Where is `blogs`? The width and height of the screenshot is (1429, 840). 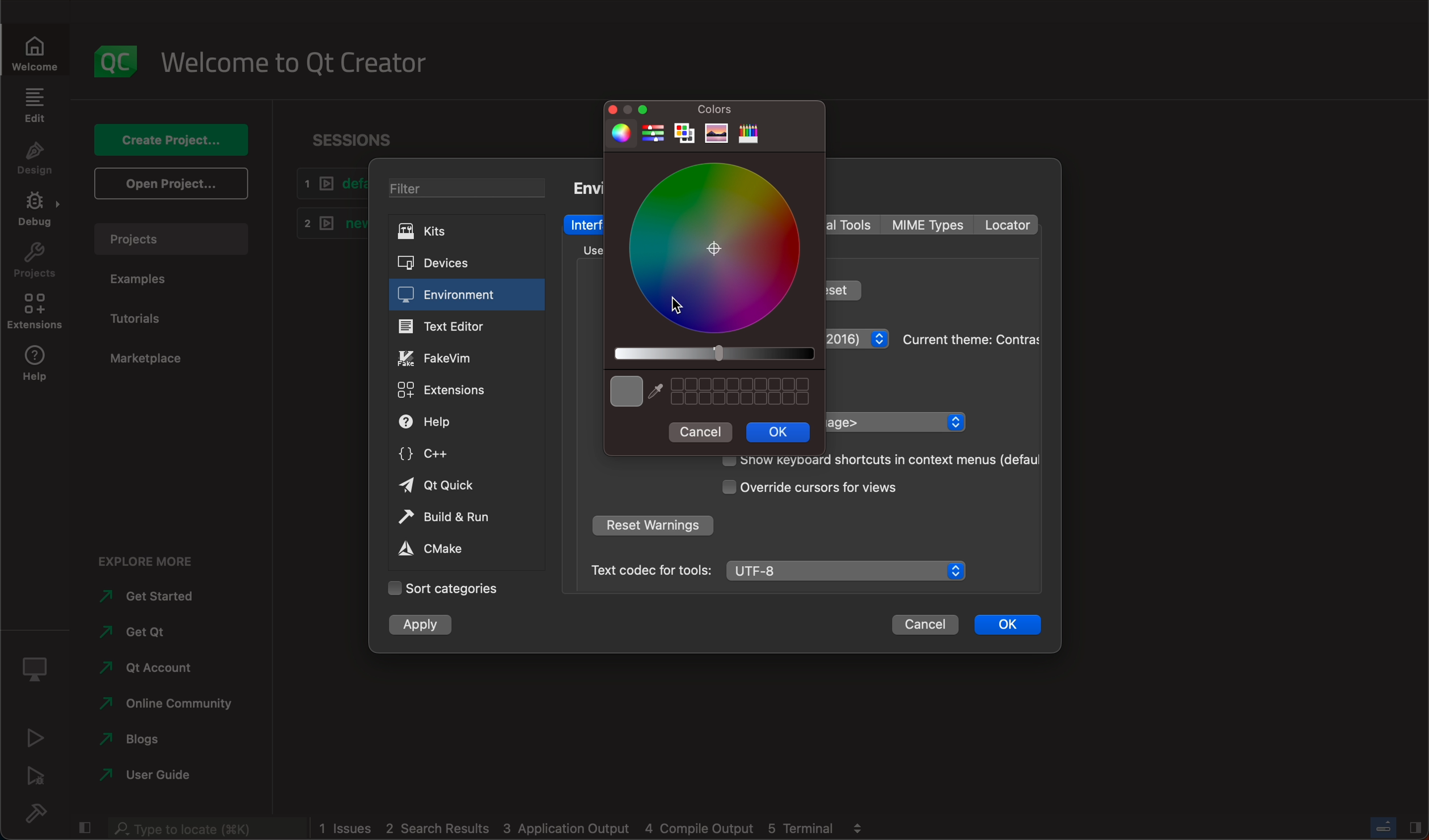
blogs is located at coordinates (135, 737).